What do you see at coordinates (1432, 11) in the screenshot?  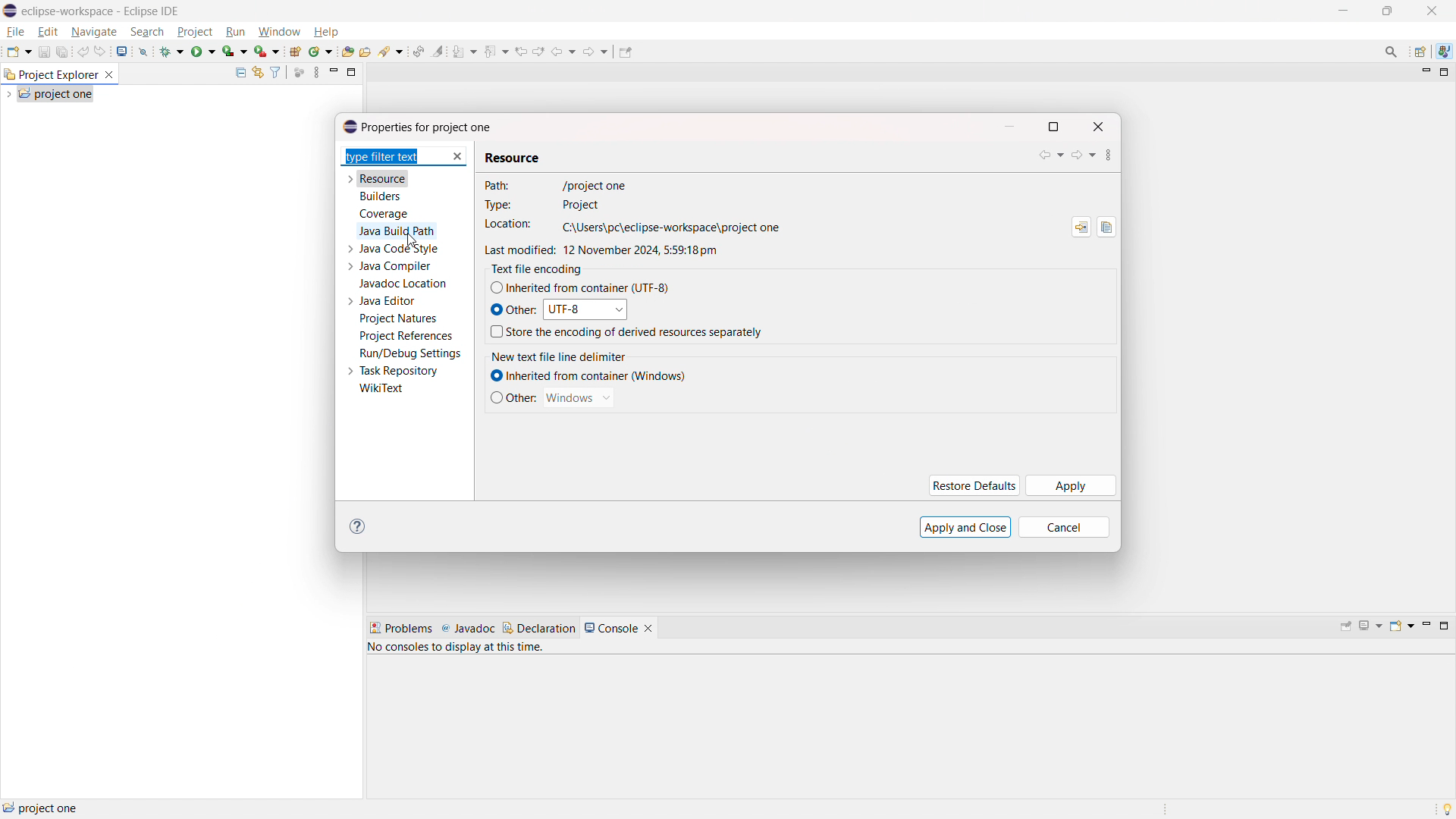 I see `close` at bounding box center [1432, 11].